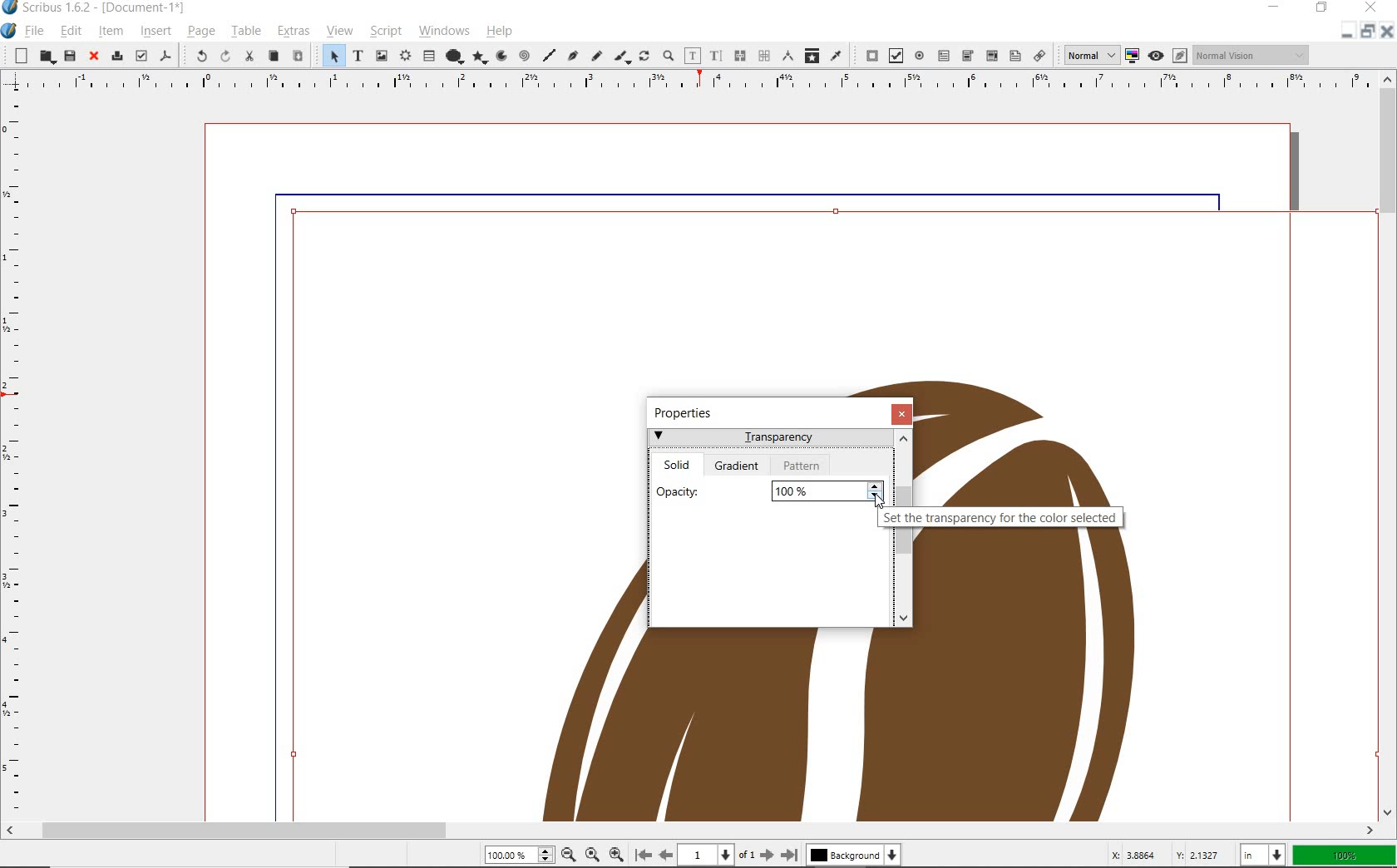 The height and width of the screenshot is (868, 1397). I want to click on undo, so click(198, 56).